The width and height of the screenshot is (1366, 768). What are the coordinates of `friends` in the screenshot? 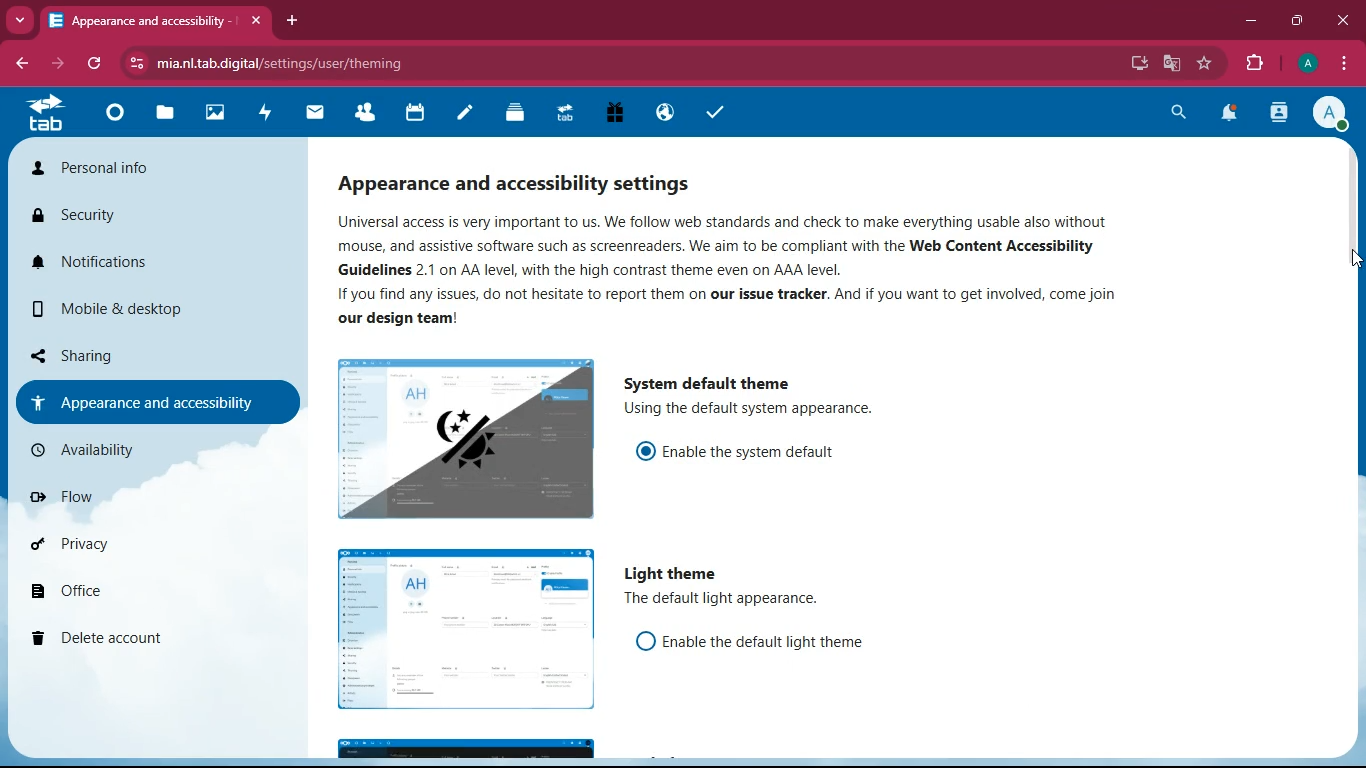 It's located at (362, 113).